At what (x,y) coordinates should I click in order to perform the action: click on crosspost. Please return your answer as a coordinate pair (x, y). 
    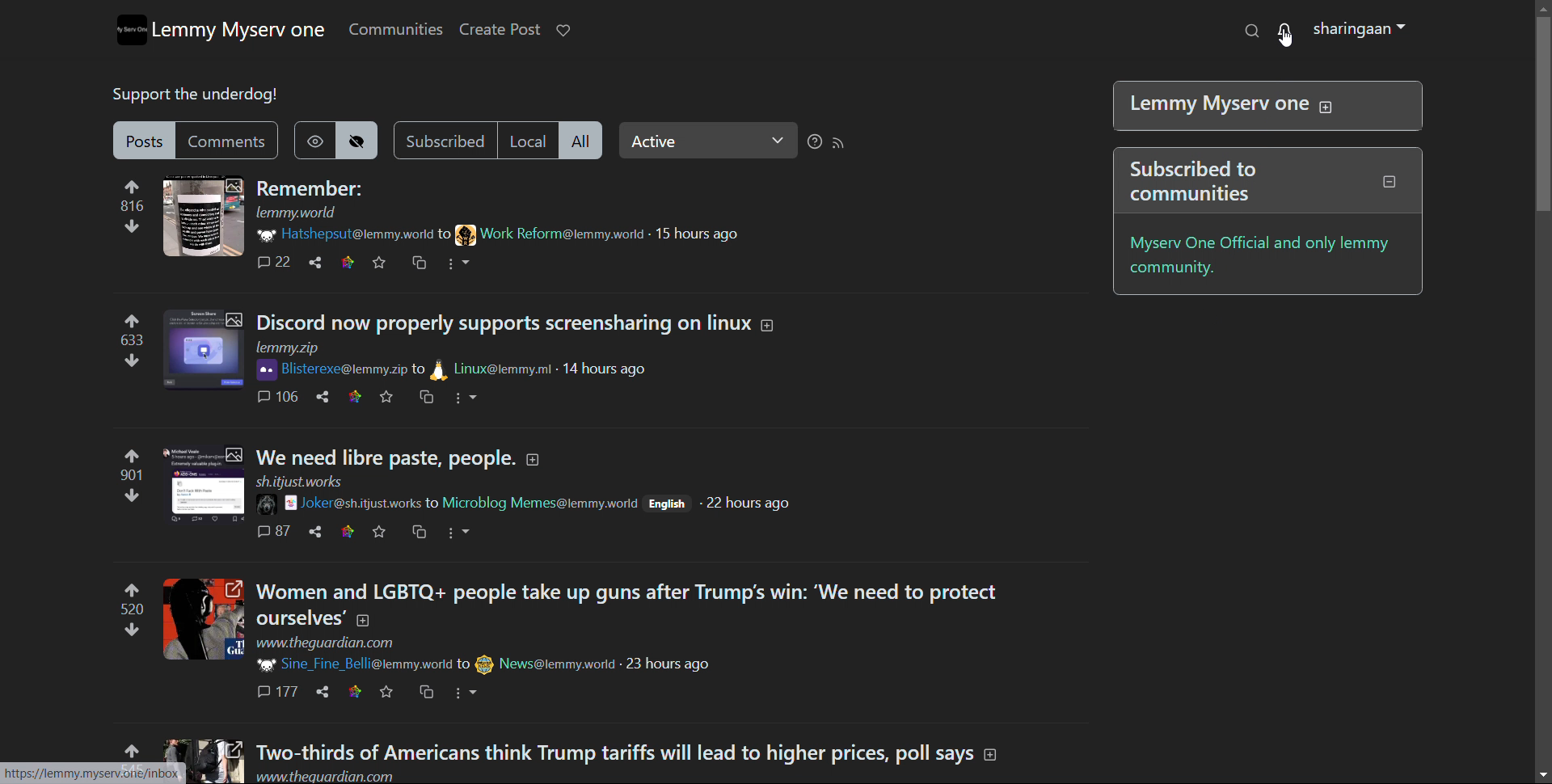
    Looking at the image, I should click on (419, 532).